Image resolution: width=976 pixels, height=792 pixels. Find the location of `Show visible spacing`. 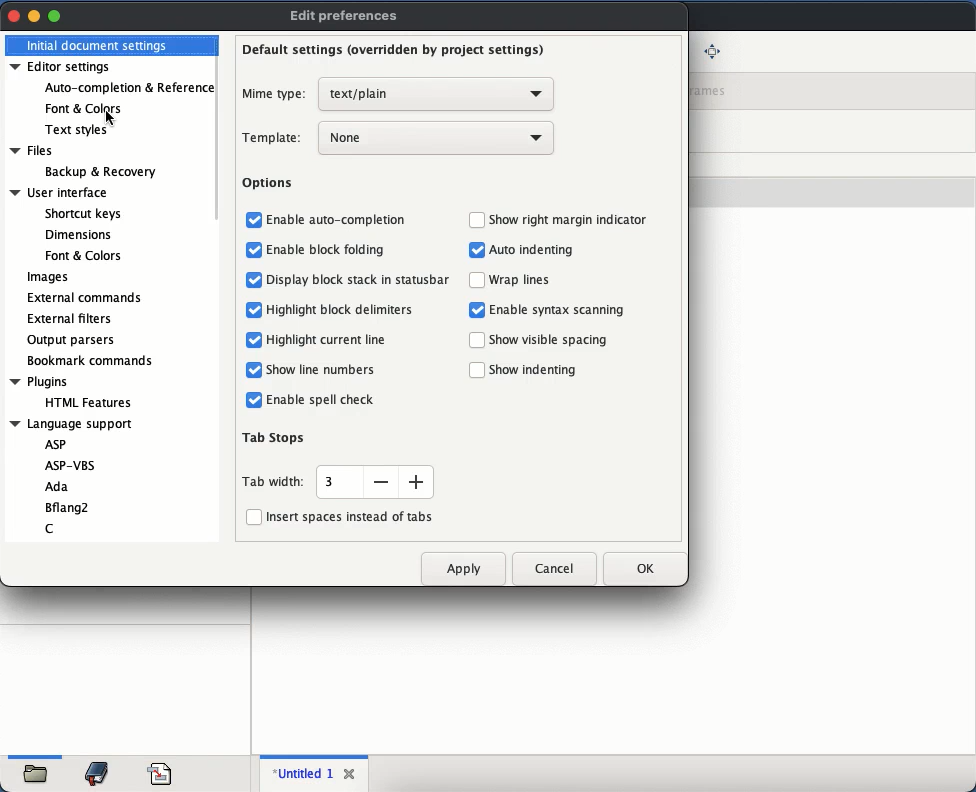

Show visible spacing is located at coordinates (550, 340).